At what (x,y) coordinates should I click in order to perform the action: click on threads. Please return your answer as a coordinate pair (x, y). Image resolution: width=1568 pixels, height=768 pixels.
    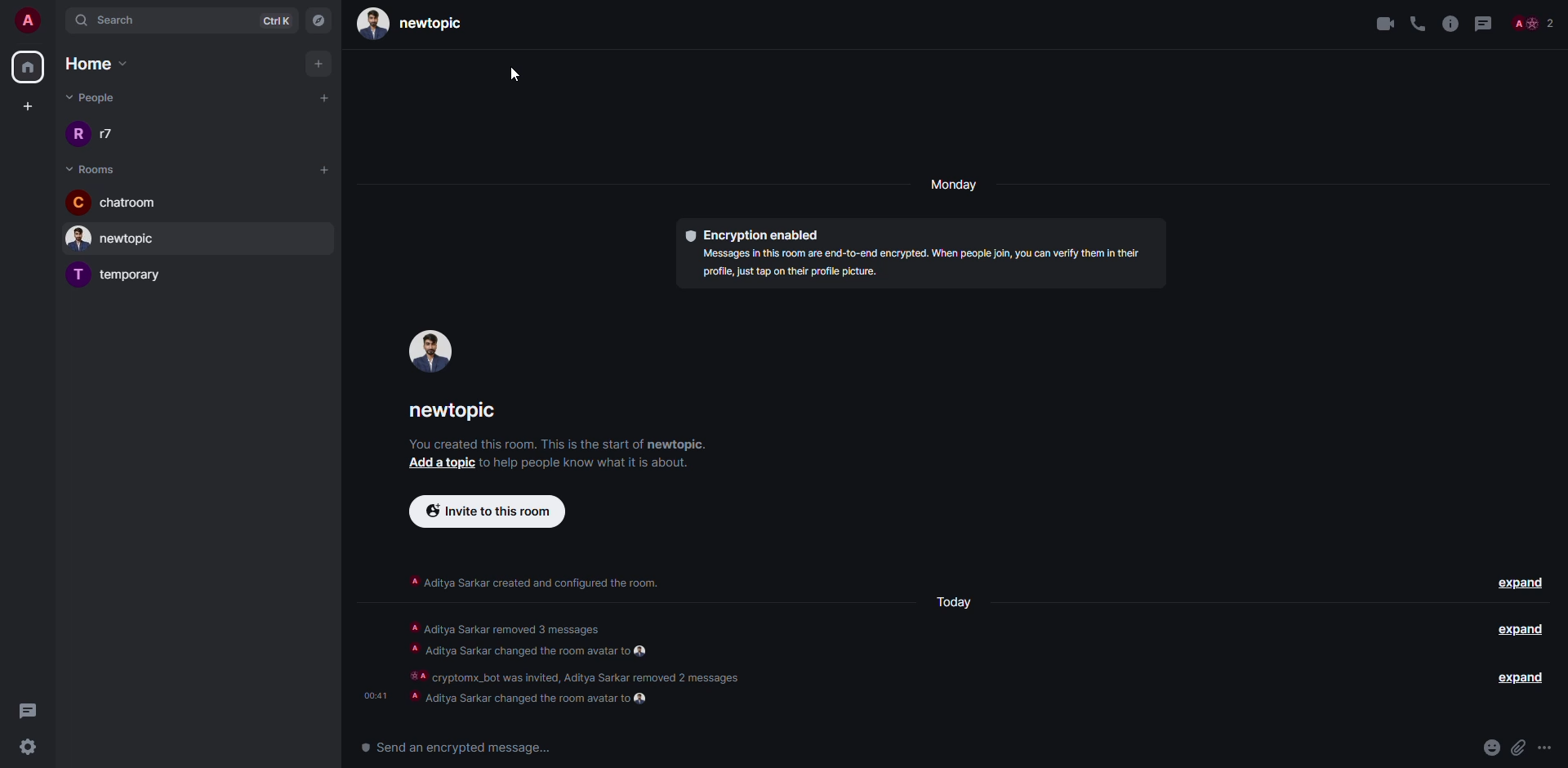
    Looking at the image, I should click on (29, 712).